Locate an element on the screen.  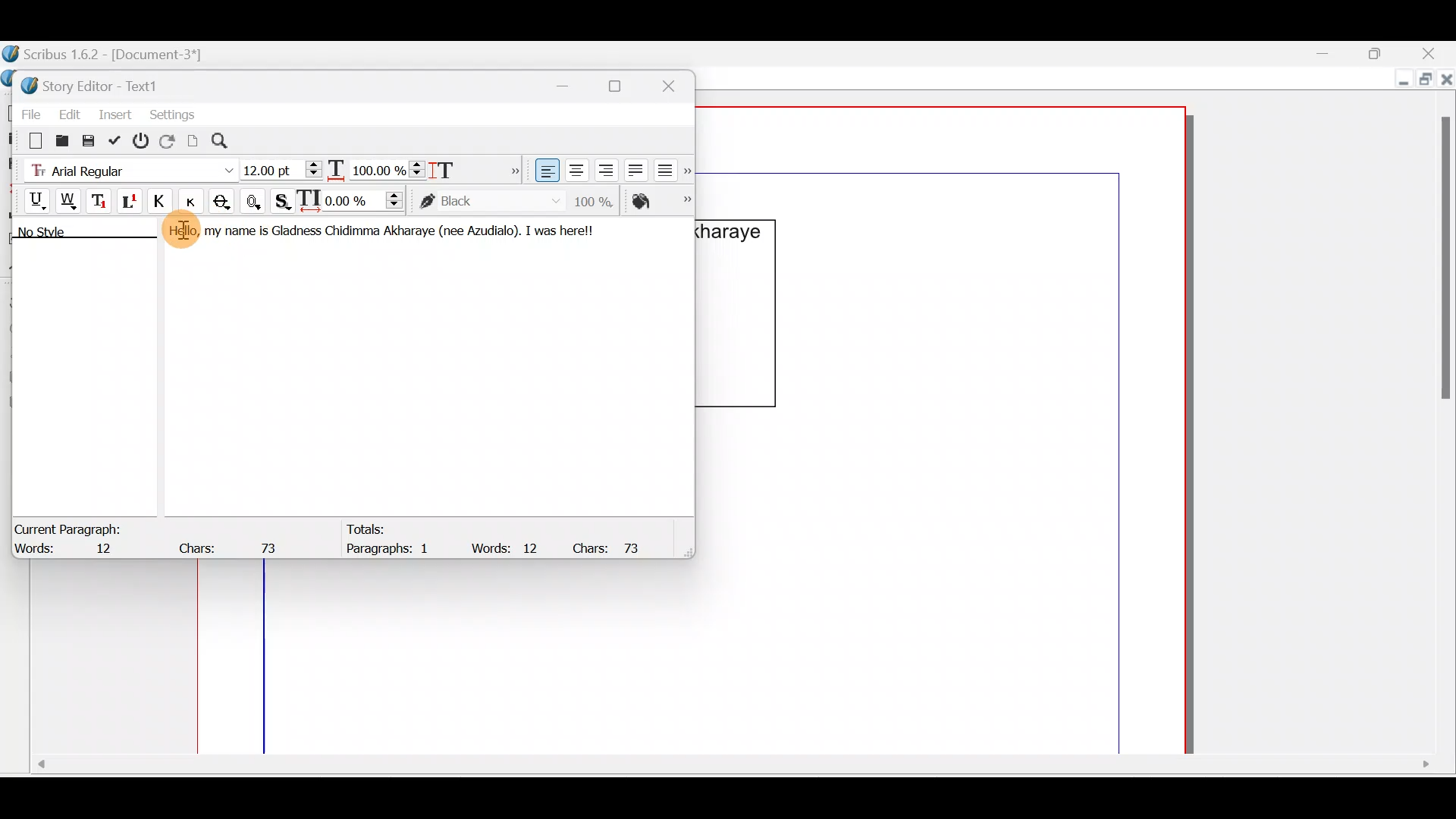
Outline is located at coordinates (255, 199).